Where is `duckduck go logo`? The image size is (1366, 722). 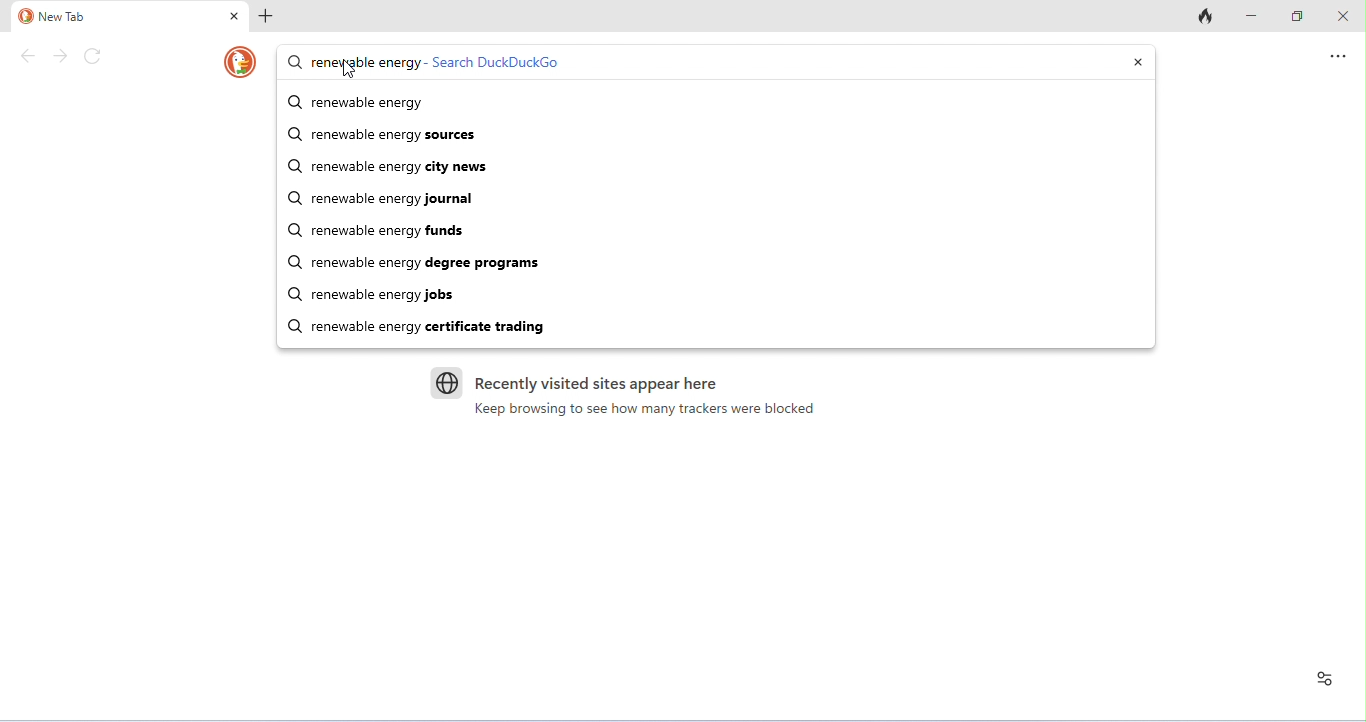
duckduck go logo is located at coordinates (240, 62).